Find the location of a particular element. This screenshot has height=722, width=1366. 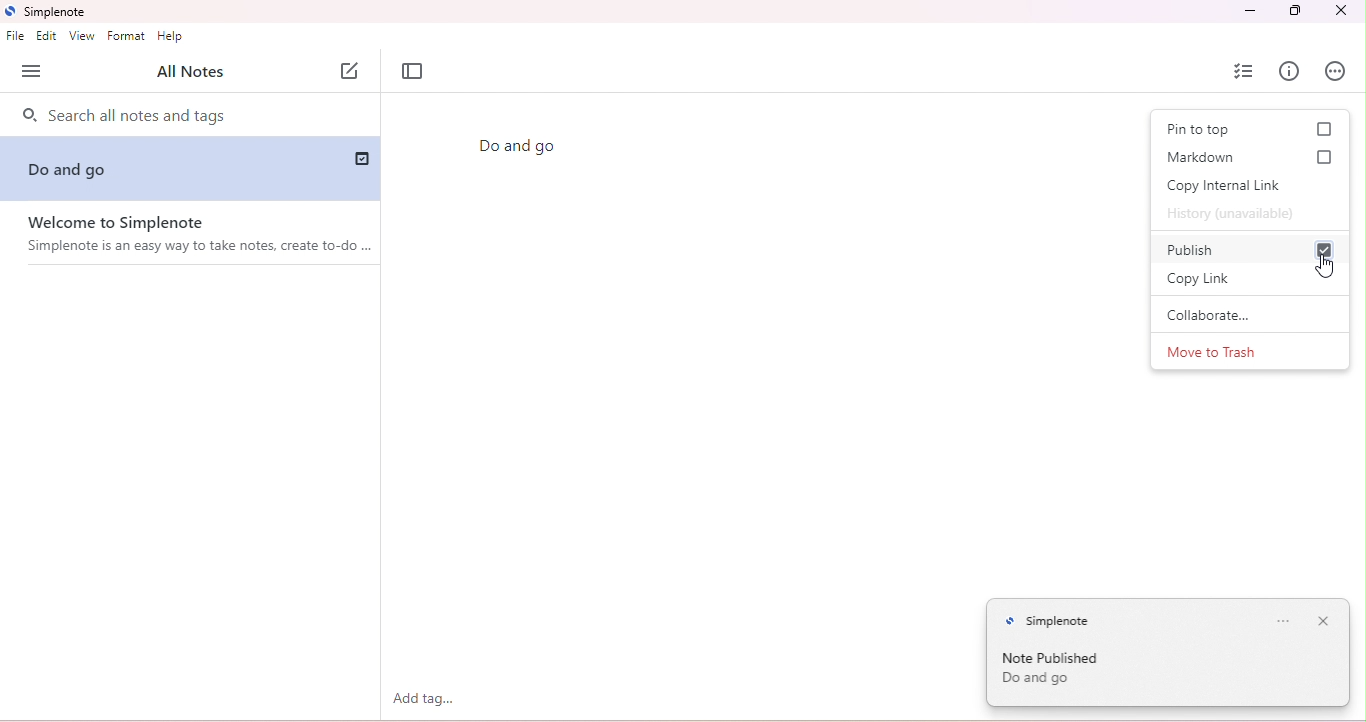

add tag is located at coordinates (426, 699).